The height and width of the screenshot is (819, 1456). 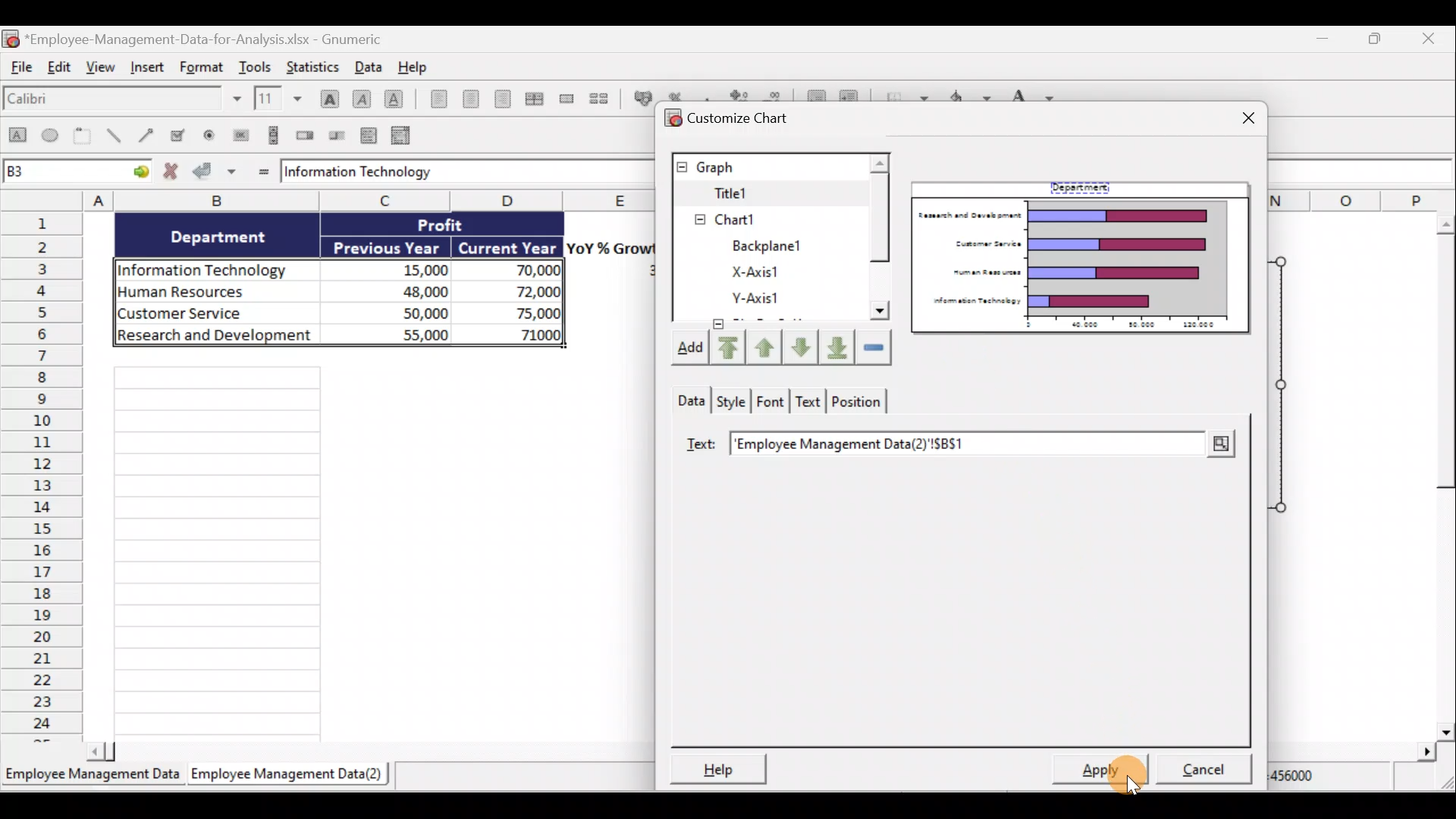 I want to click on File, so click(x=21, y=71).